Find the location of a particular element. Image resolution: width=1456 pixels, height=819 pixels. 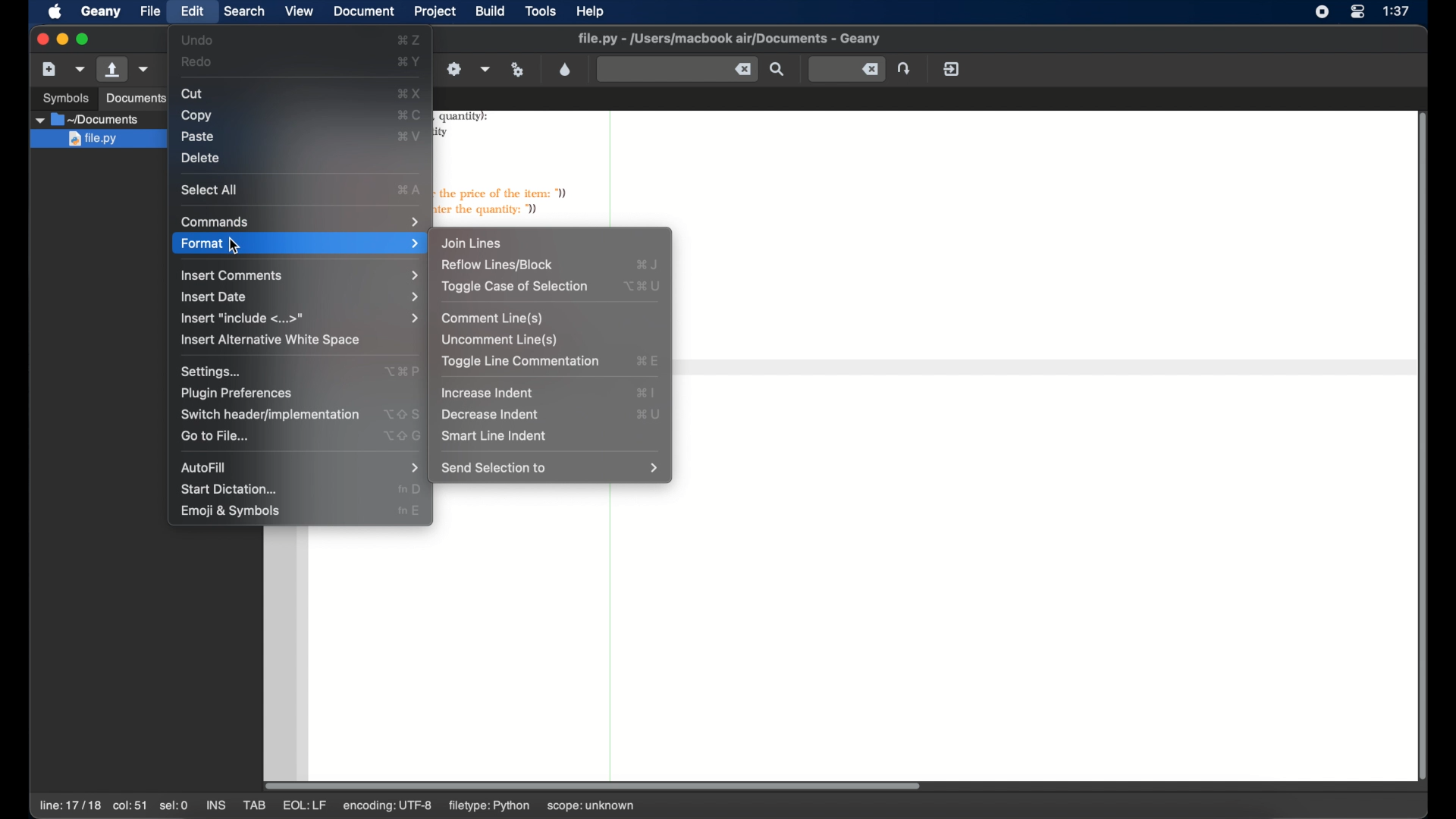

tools is located at coordinates (541, 12).